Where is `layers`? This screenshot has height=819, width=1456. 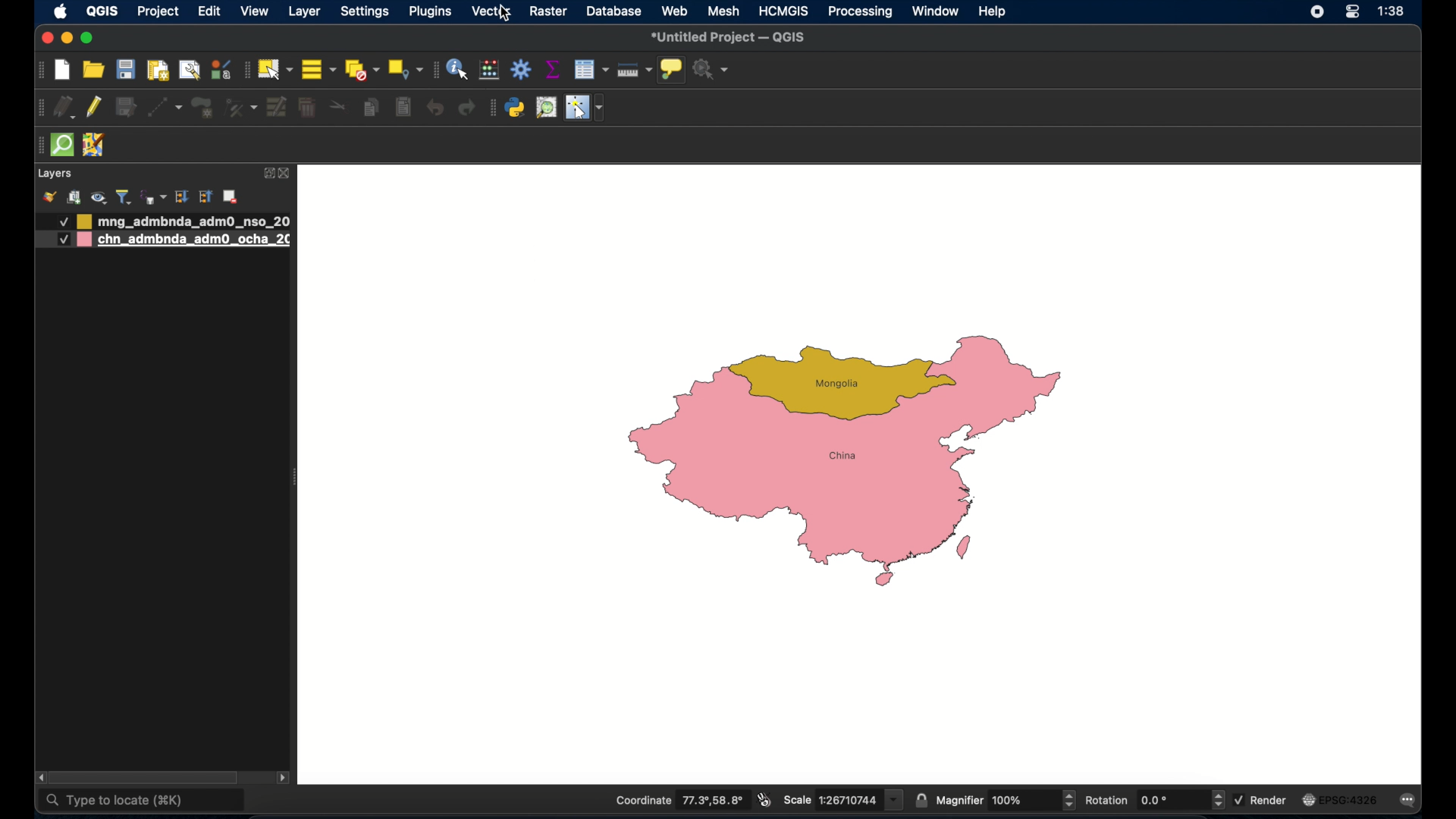 layers is located at coordinates (54, 174).